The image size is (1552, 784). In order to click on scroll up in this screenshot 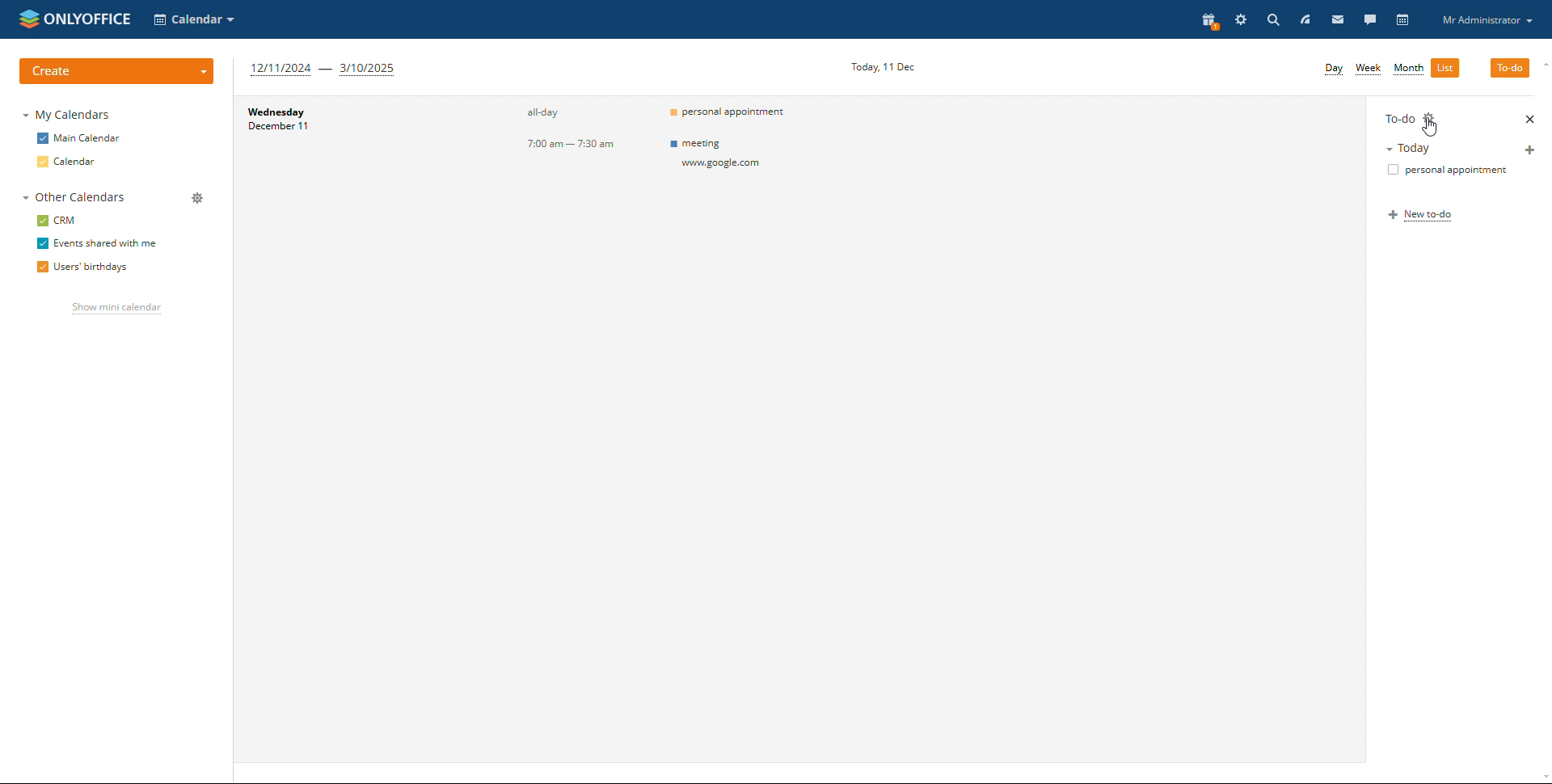, I will do `click(1542, 64)`.